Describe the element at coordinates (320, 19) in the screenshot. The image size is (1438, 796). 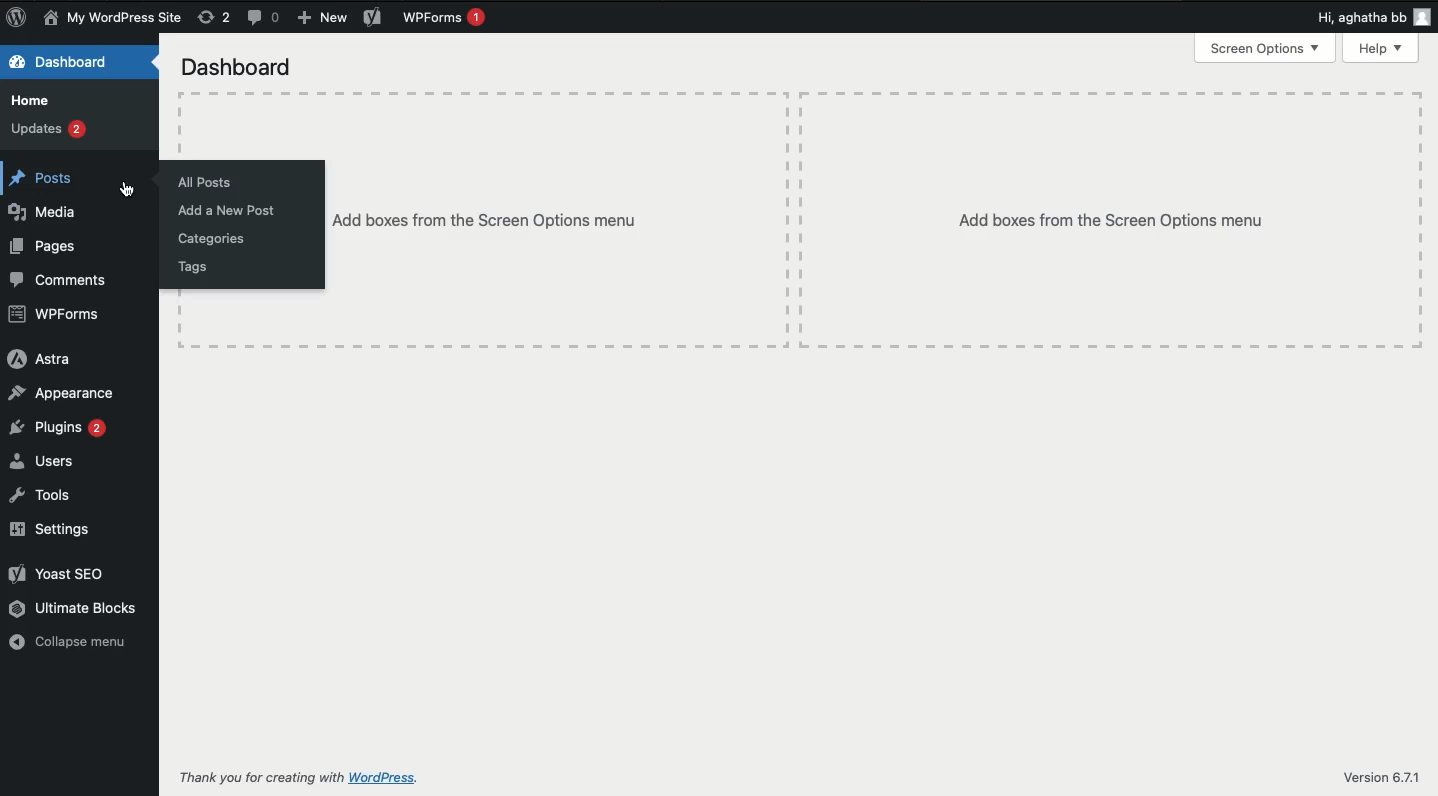
I see `New` at that location.